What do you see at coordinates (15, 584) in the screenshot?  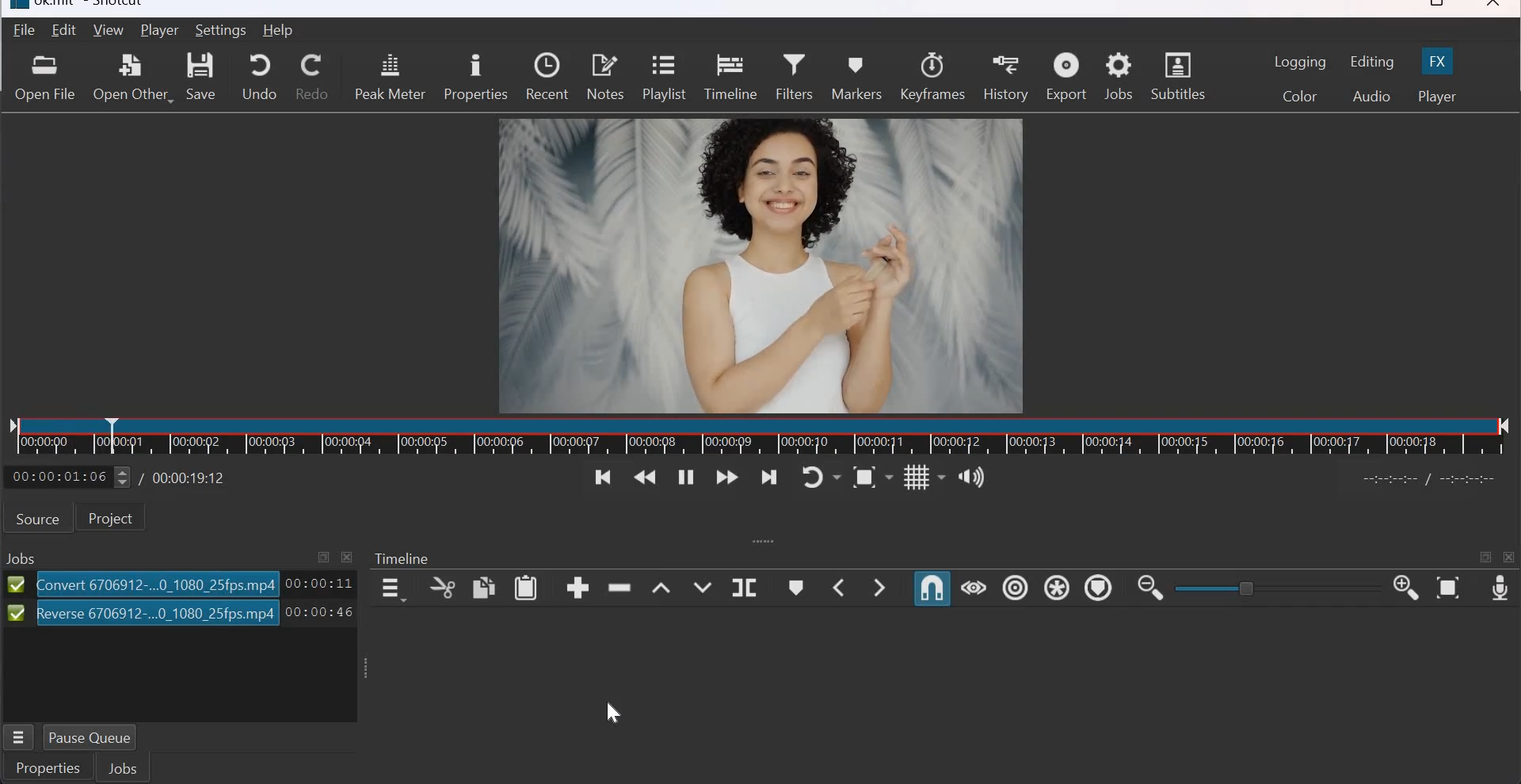 I see `checkbox` at bounding box center [15, 584].